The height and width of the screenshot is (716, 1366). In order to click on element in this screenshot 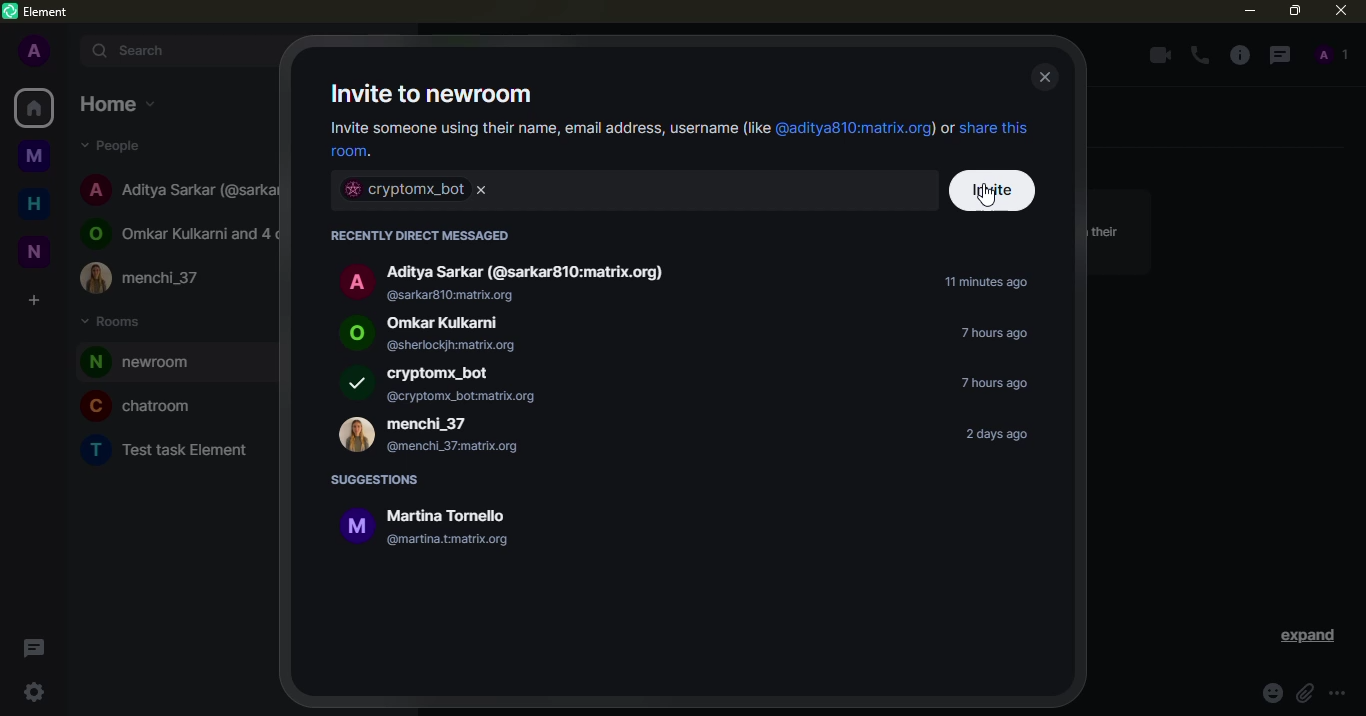, I will do `click(38, 12)`.